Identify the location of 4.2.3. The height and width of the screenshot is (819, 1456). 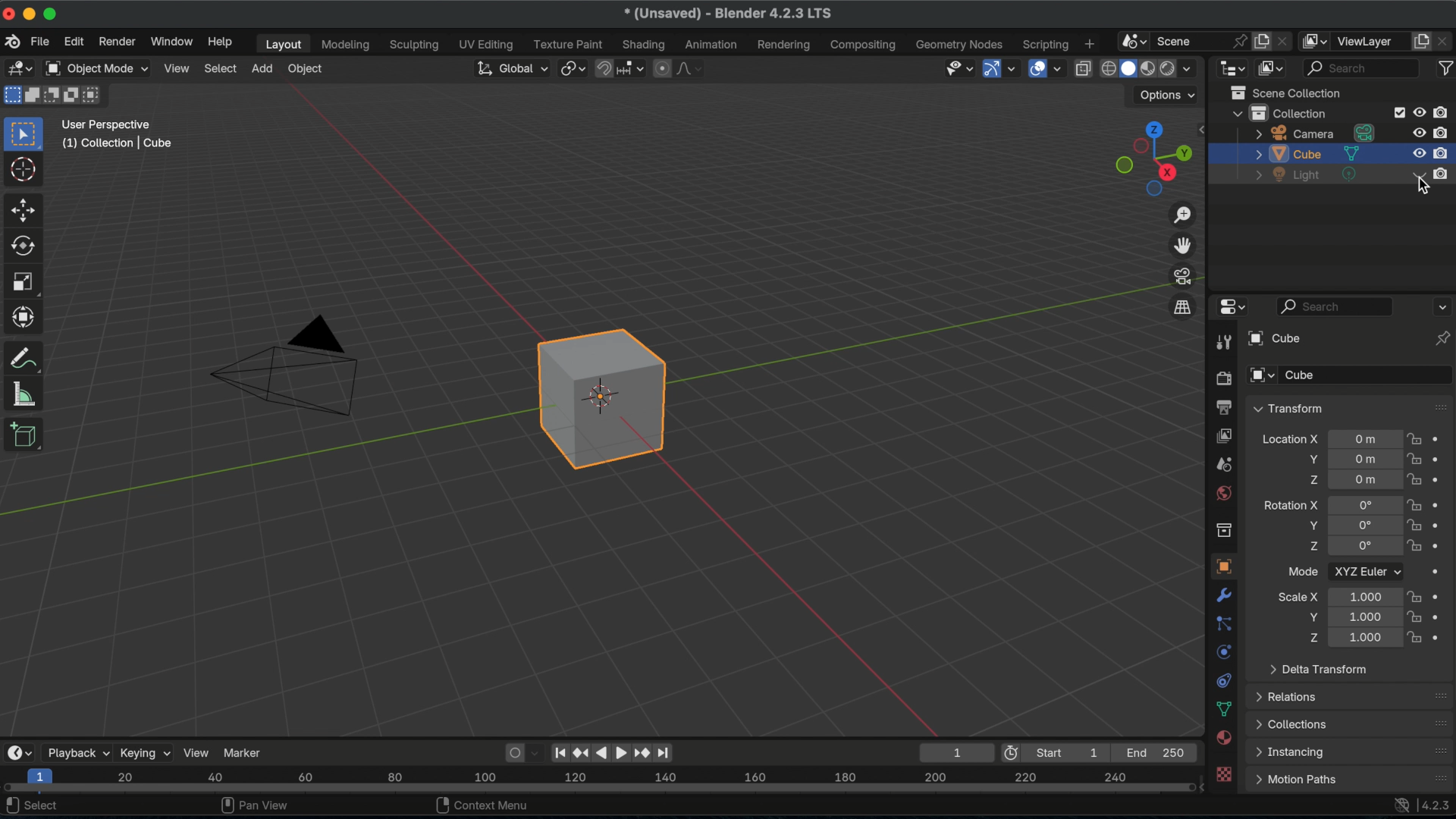
(1437, 806).